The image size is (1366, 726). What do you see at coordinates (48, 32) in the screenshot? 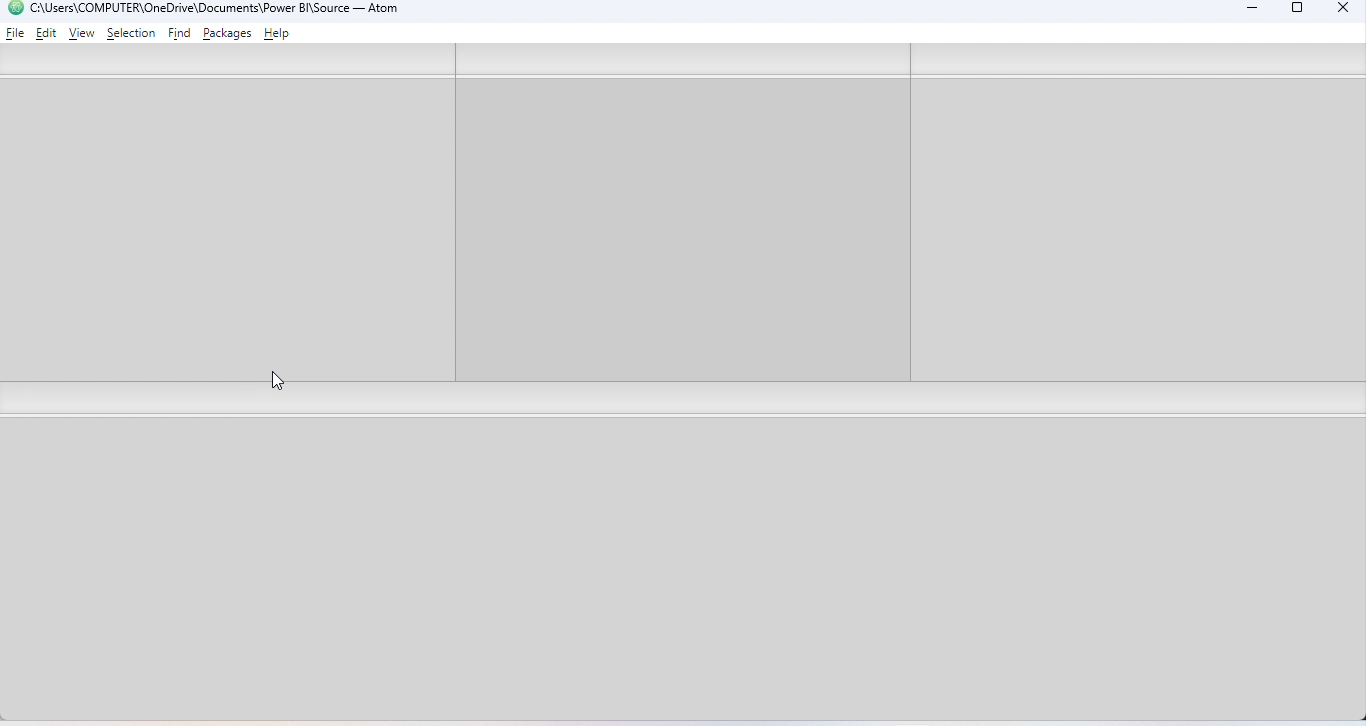
I see `Edit` at bounding box center [48, 32].